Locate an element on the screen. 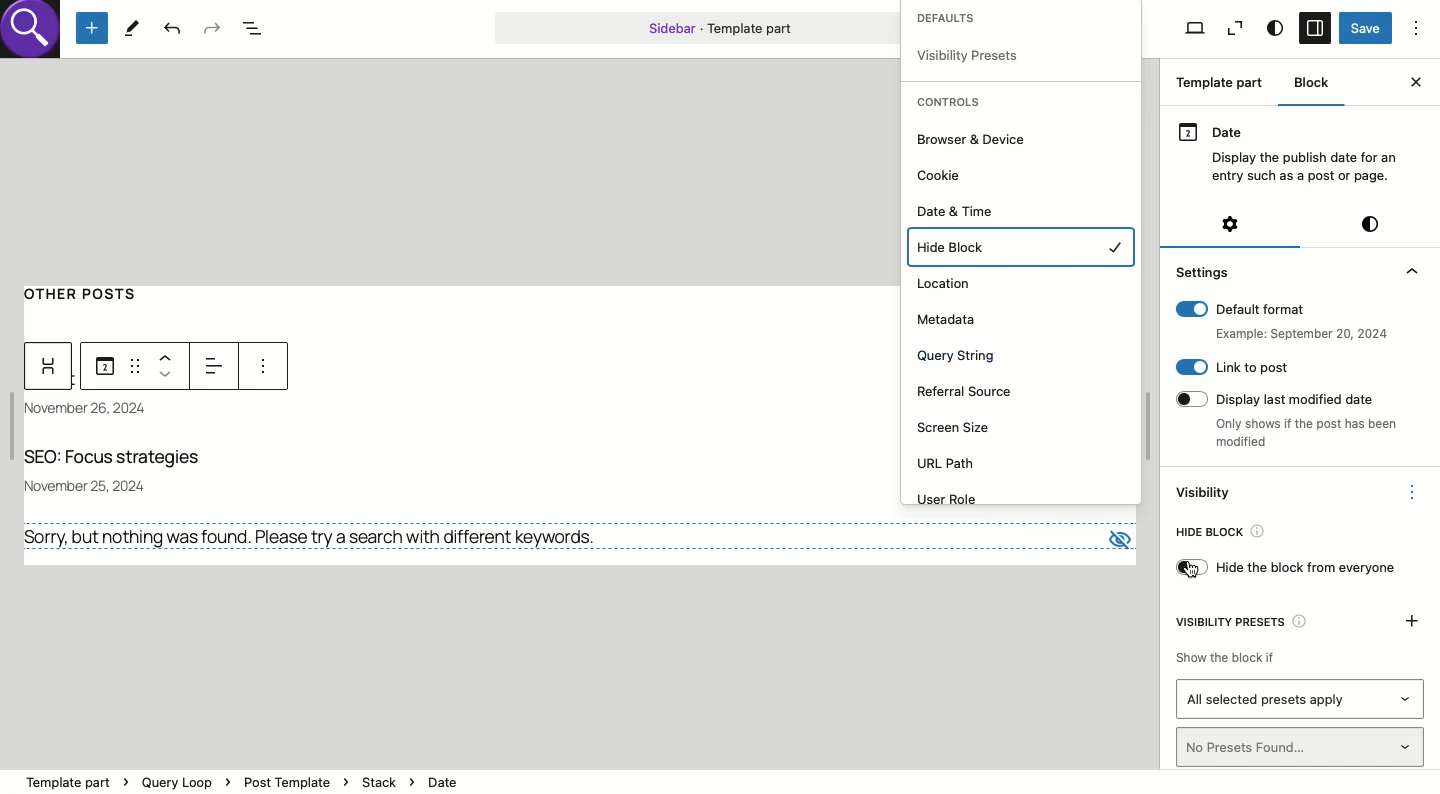 This screenshot has height=794, width=1440. Template part is located at coordinates (1224, 85).